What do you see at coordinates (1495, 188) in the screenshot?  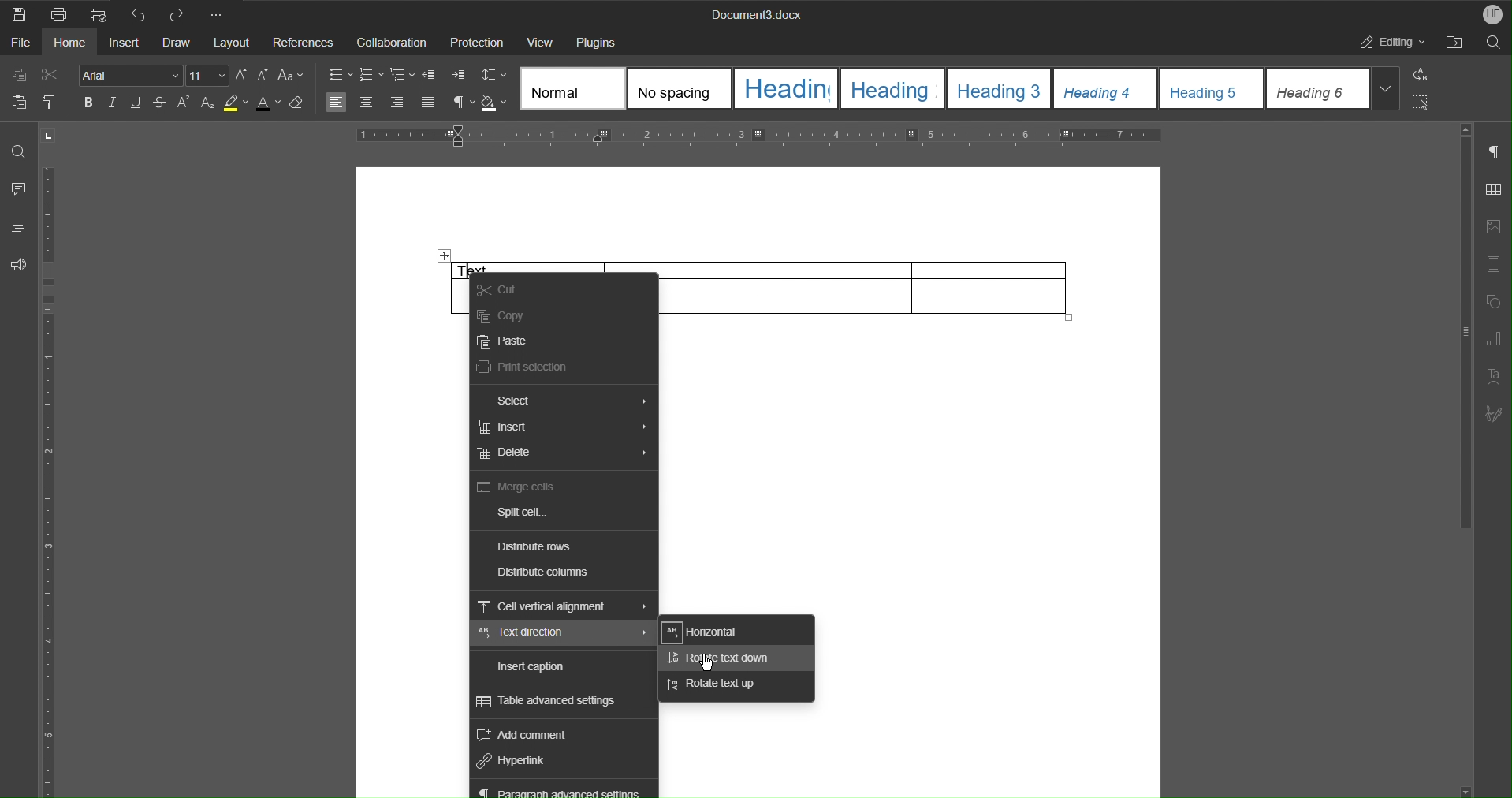 I see `Table Settings` at bounding box center [1495, 188].